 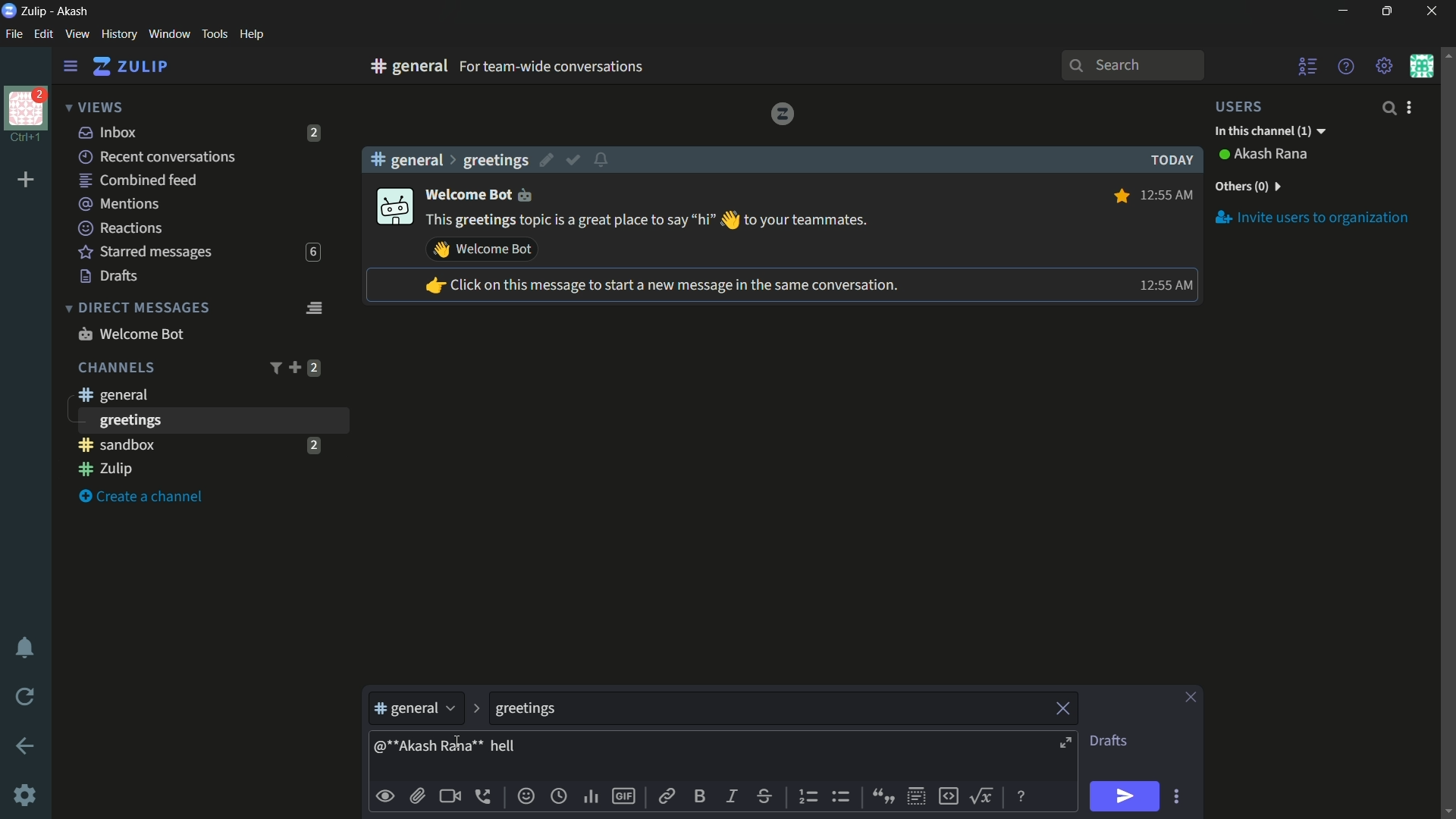 I want to click on Star, so click(x=1119, y=196).